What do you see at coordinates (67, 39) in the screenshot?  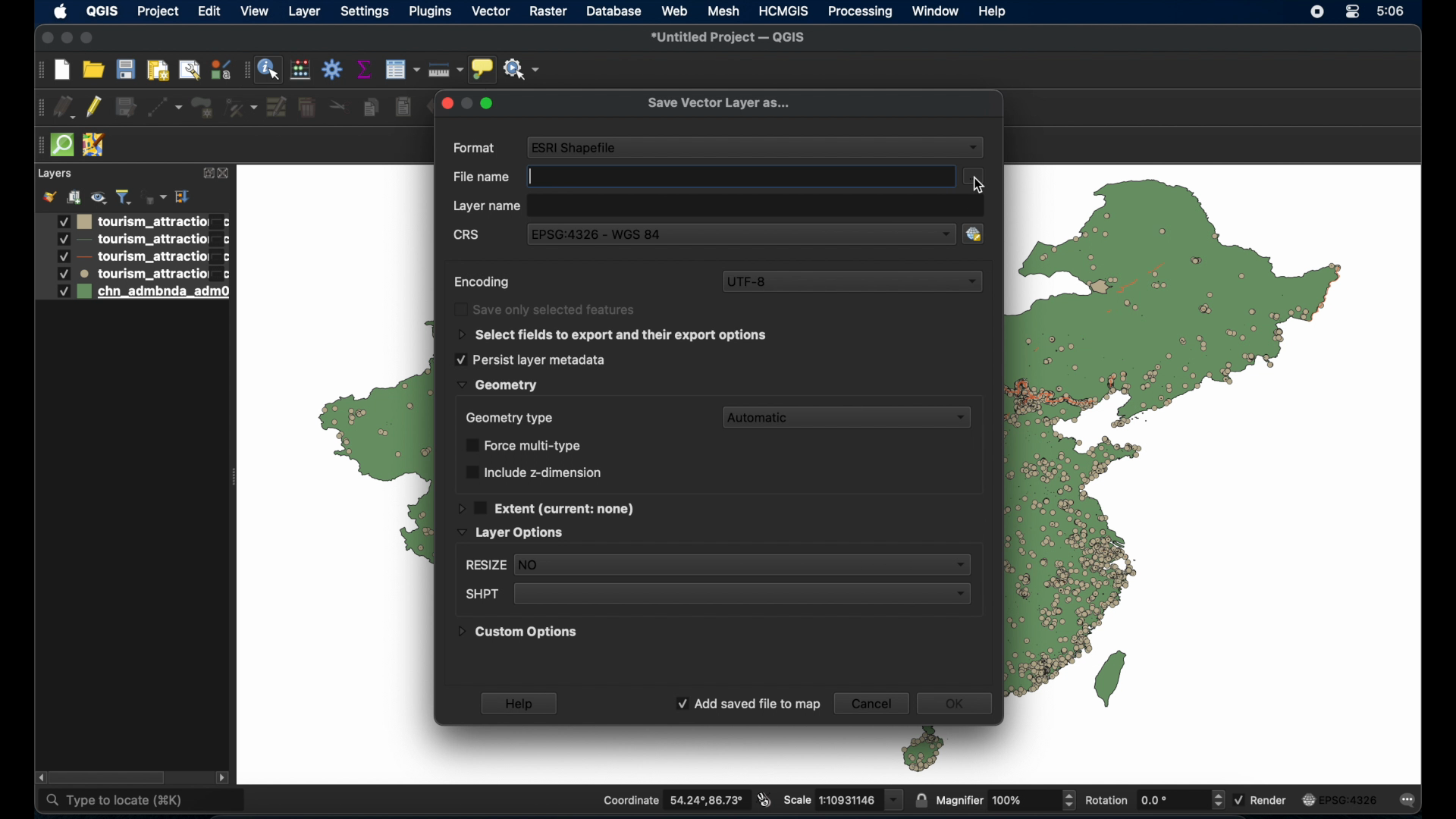 I see `minimize` at bounding box center [67, 39].